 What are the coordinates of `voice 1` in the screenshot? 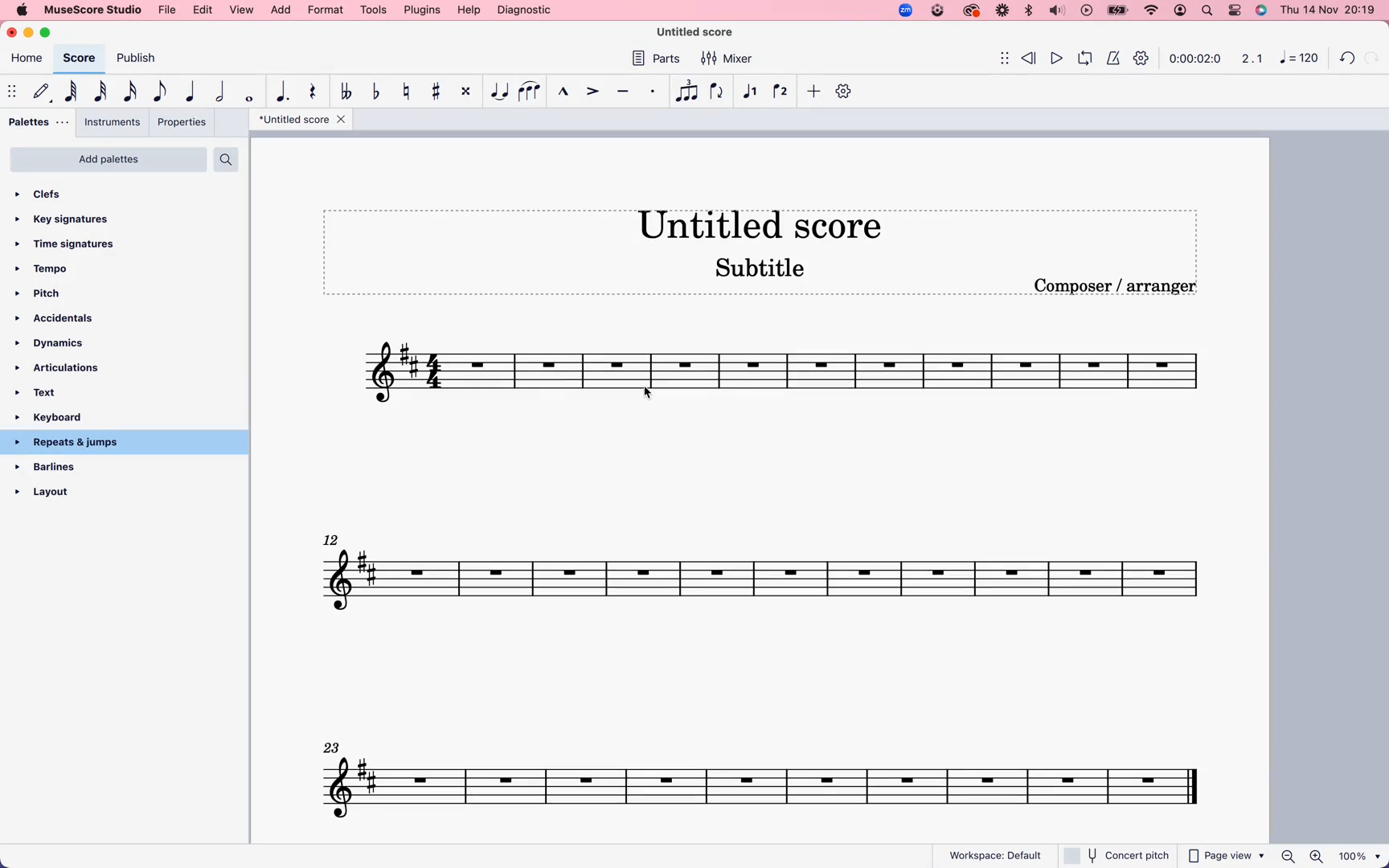 It's located at (750, 92).